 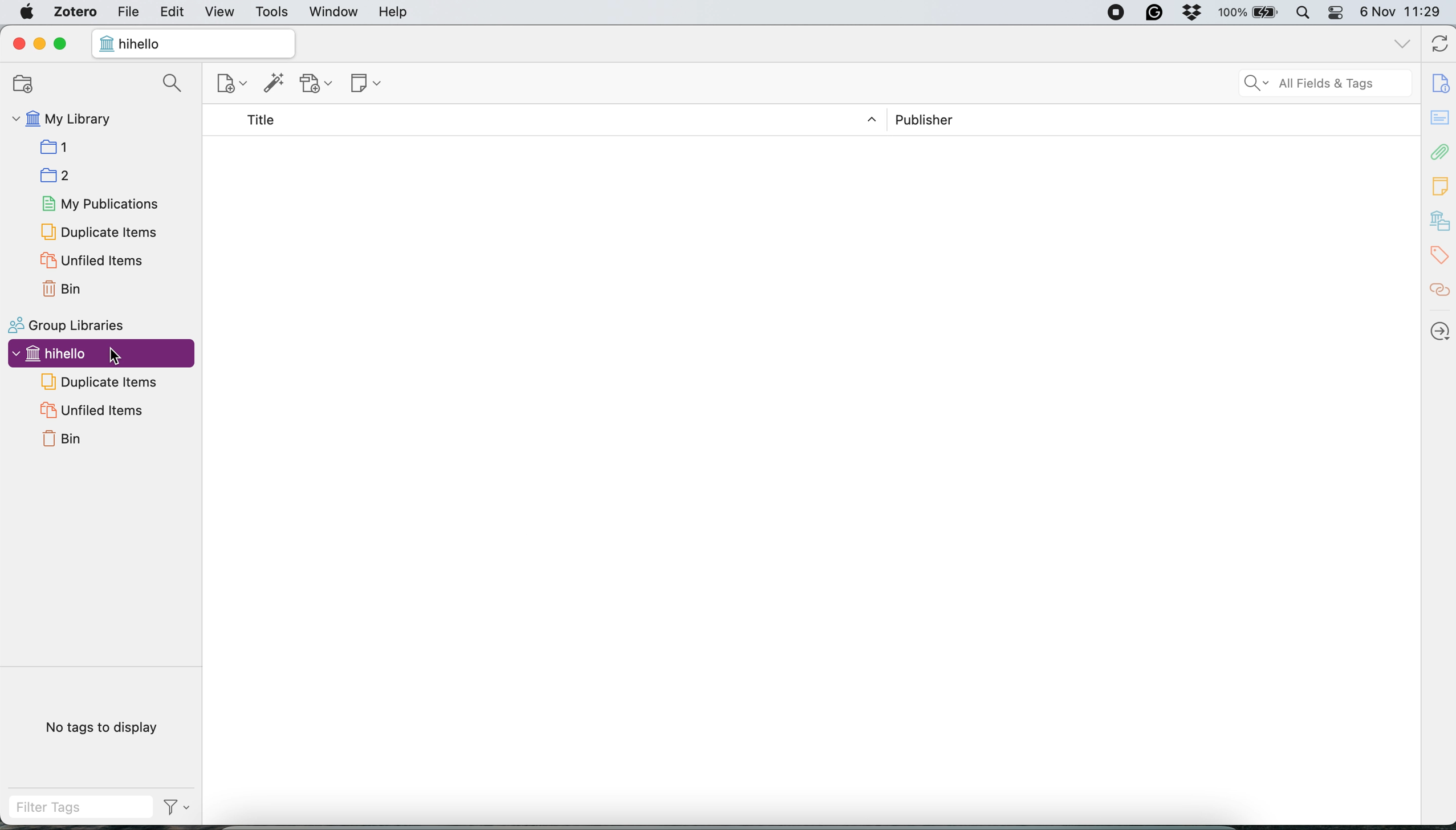 What do you see at coordinates (230, 85) in the screenshot?
I see `add new item` at bounding box center [230, 85].